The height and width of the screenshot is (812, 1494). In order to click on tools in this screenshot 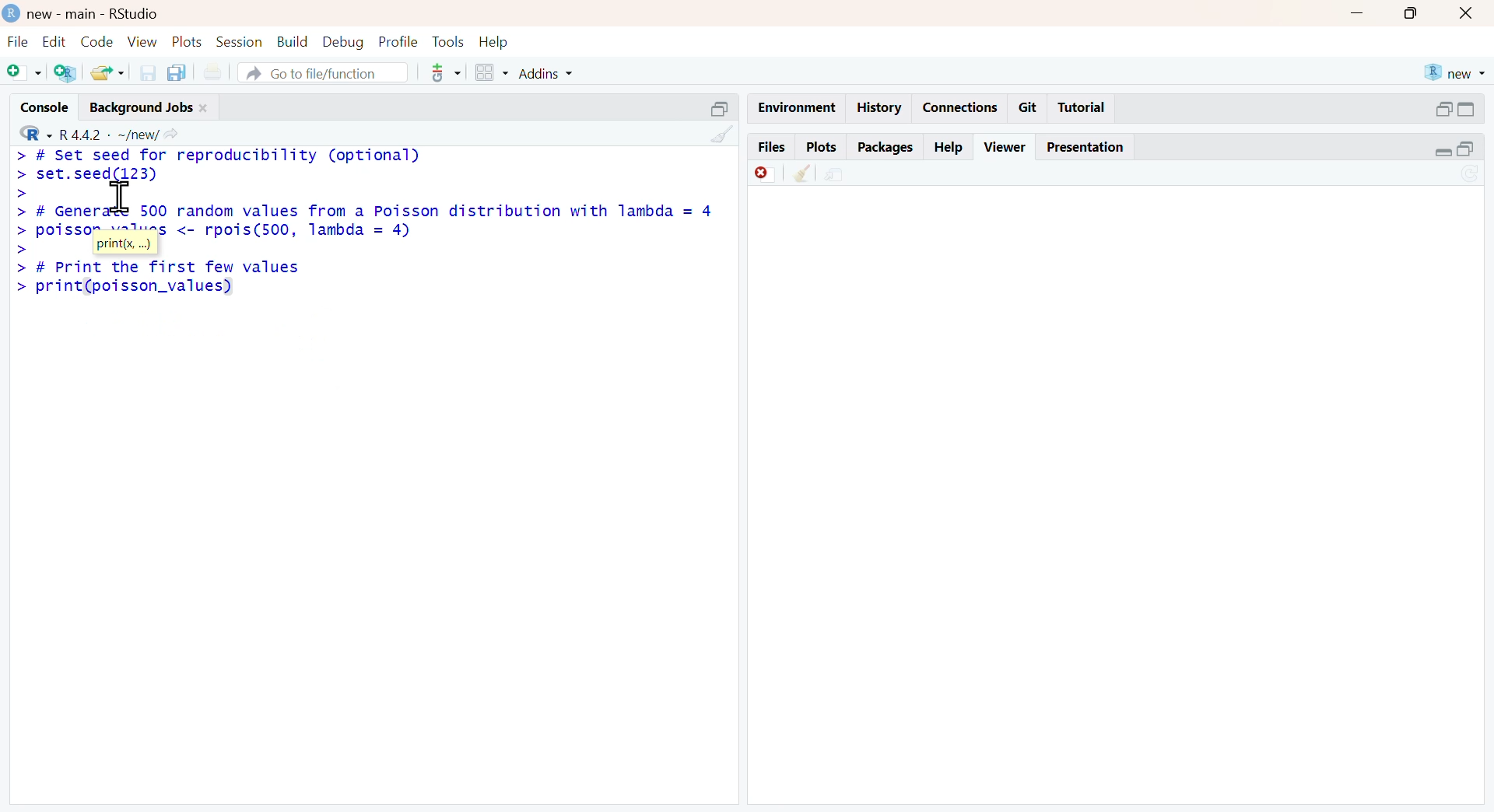, I will do `click(447, 72)`.